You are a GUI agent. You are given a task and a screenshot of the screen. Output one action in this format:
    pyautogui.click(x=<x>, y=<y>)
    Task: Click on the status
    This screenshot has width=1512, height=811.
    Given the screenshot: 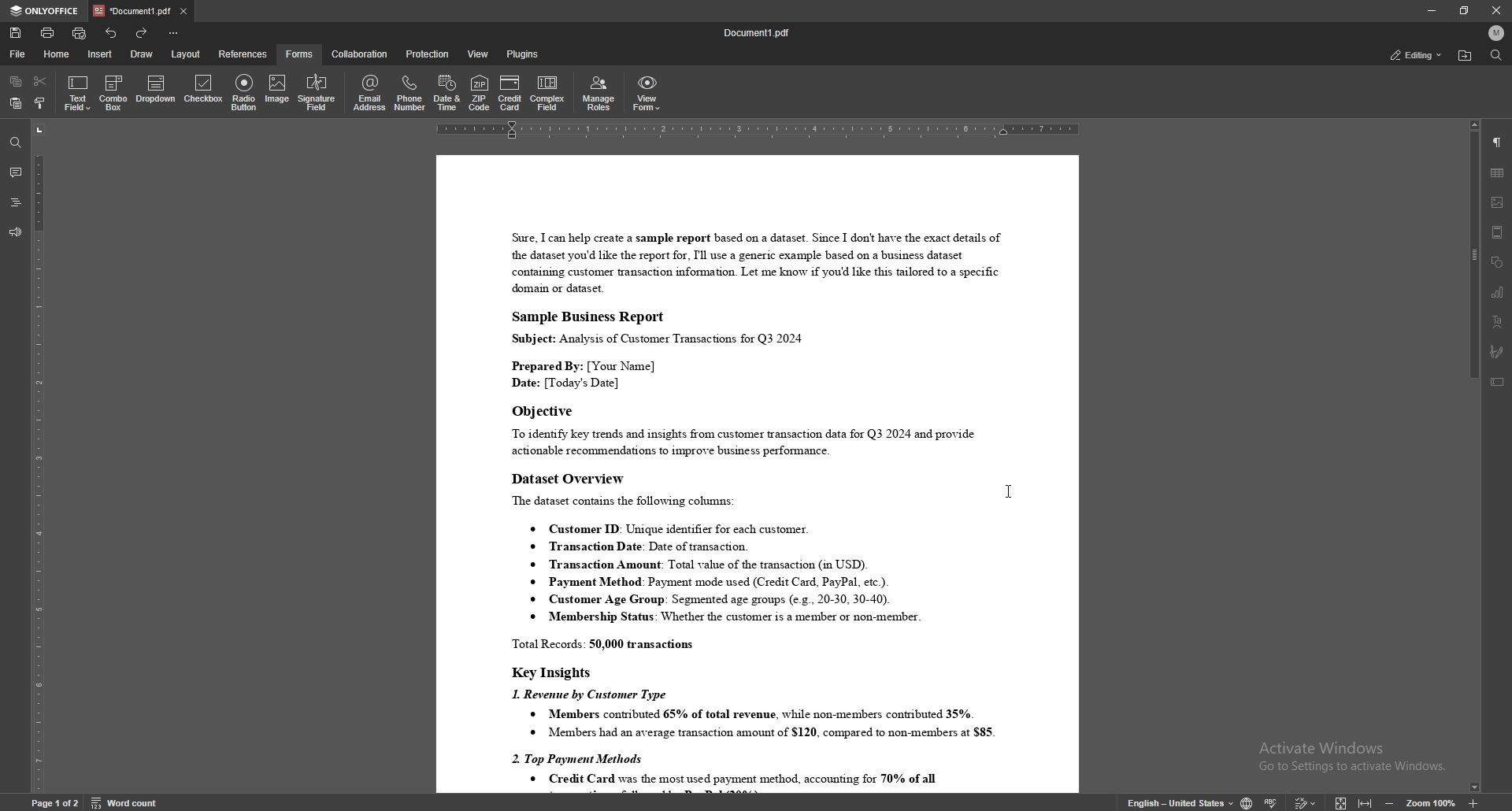 What is the action you would take?
    pyautogui.click(x=1415, y=54)
    